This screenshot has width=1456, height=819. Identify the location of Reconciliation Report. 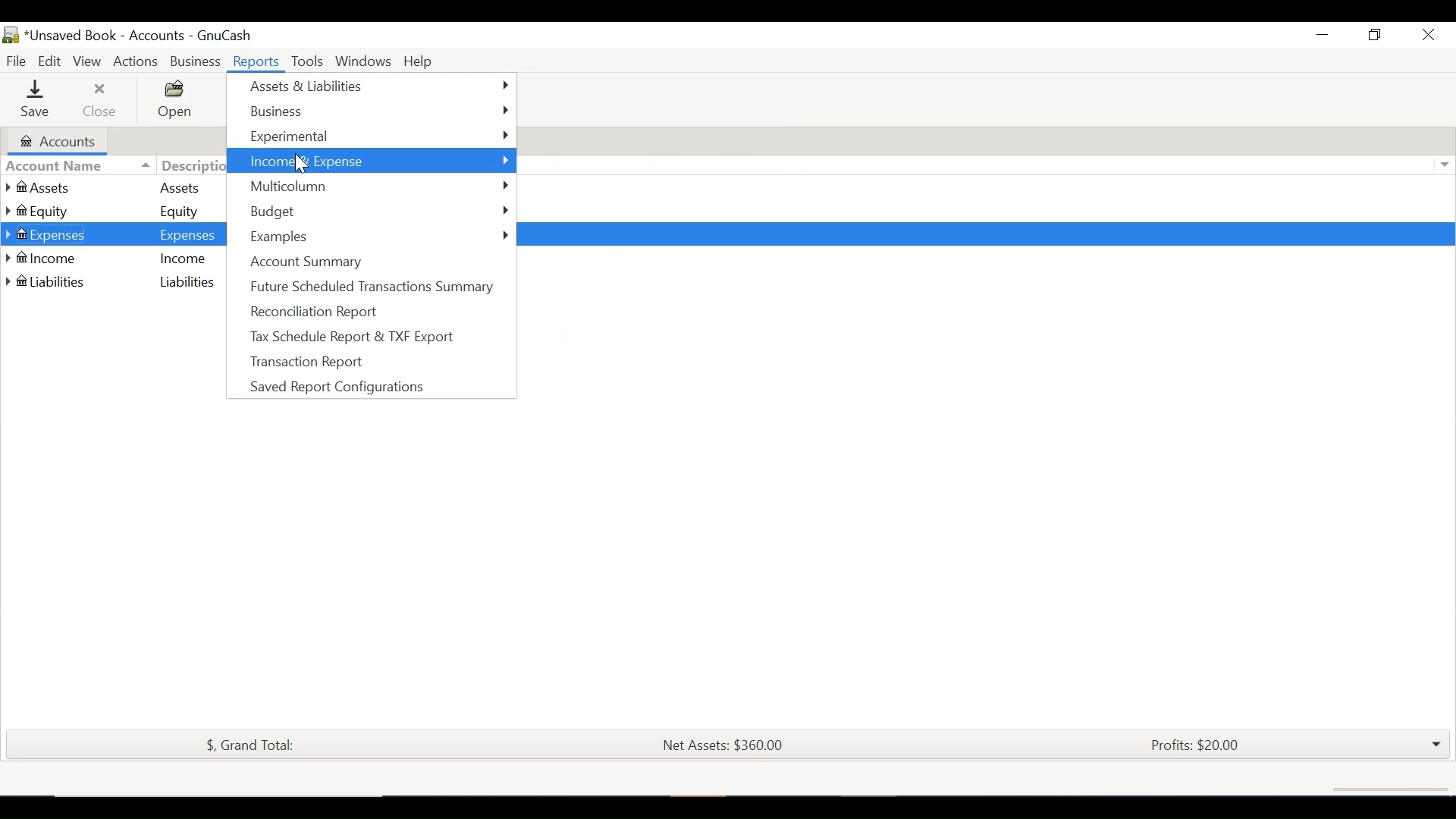
(313, 311).